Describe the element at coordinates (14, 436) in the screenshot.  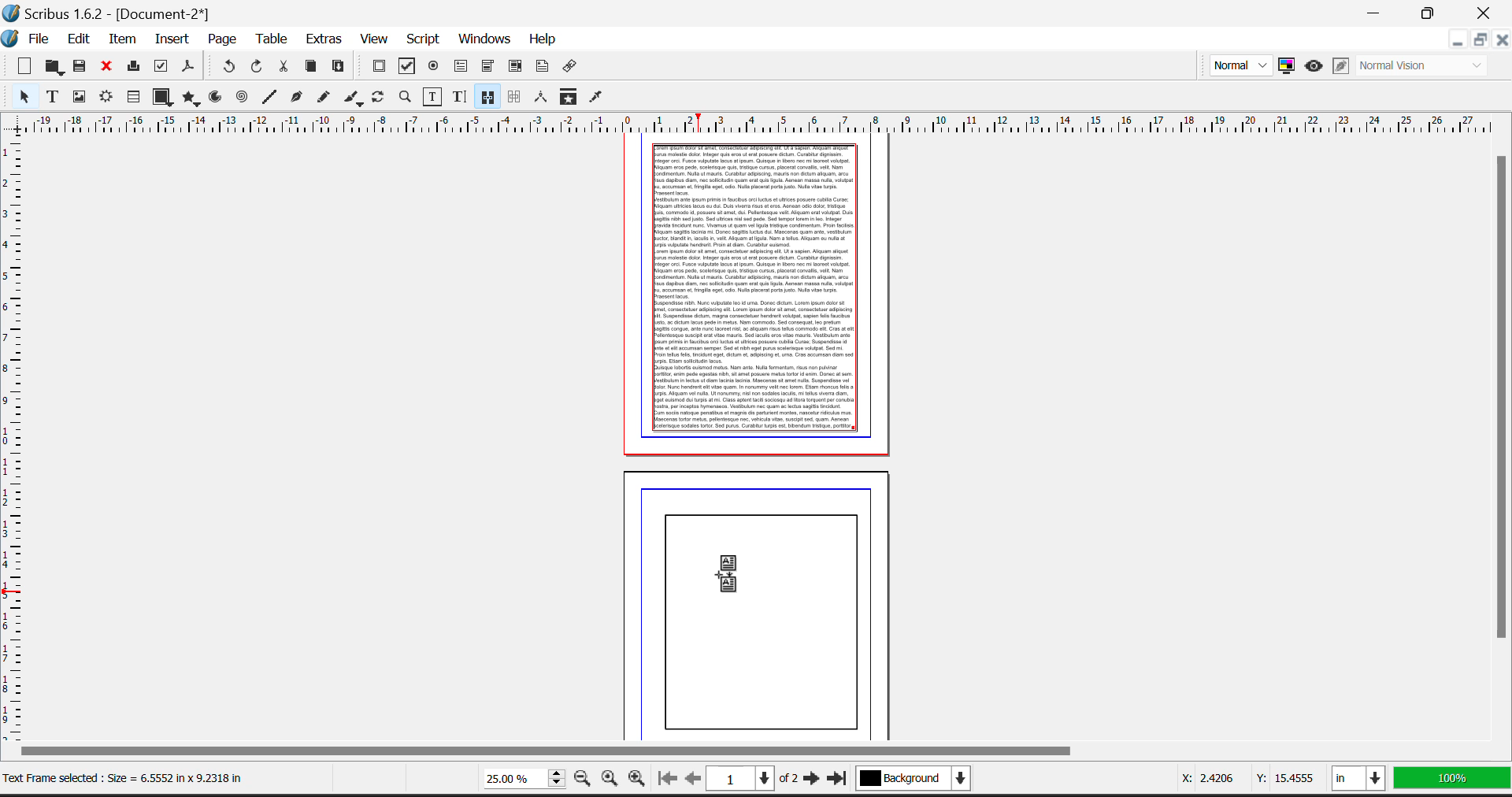
I see `Horizontal Page Margins` at that location.